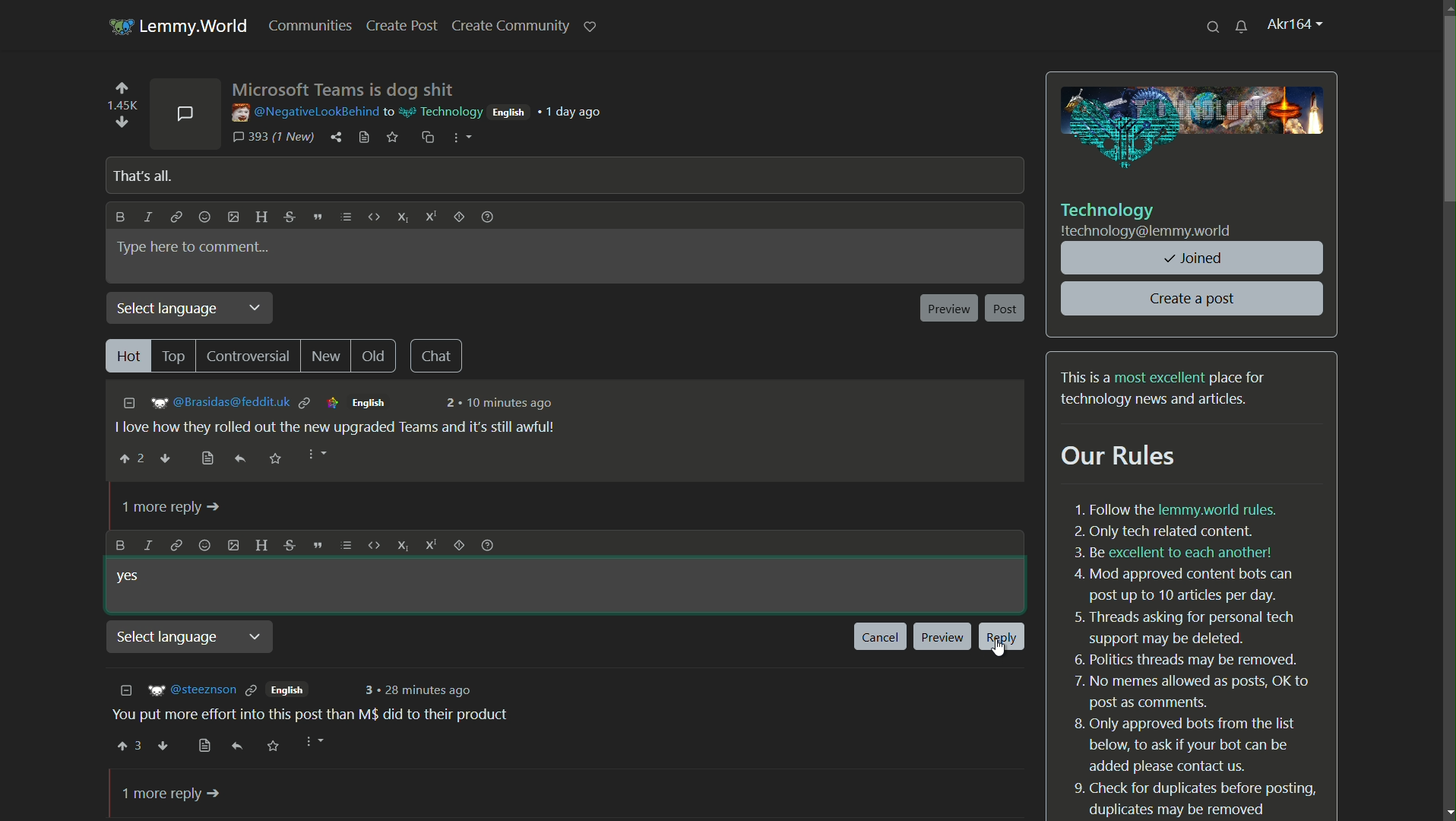  What do you see at coordinates (1296, 25) in the screenshot?
I see `profile name` at bounding box center [1296, 25].